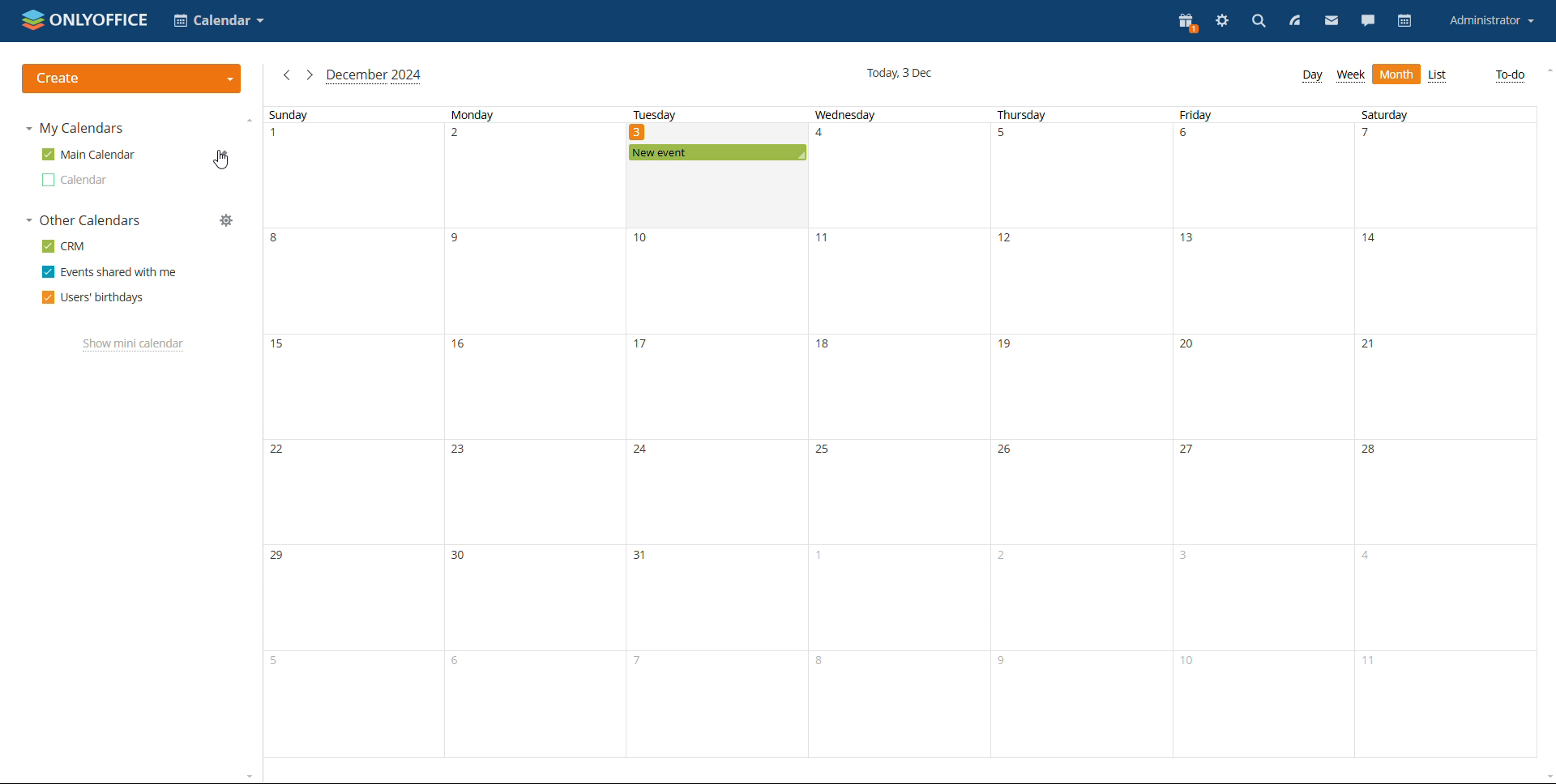  Describe the element at coordinates (1491, 21) in the screenshot. I see `account` at that location.